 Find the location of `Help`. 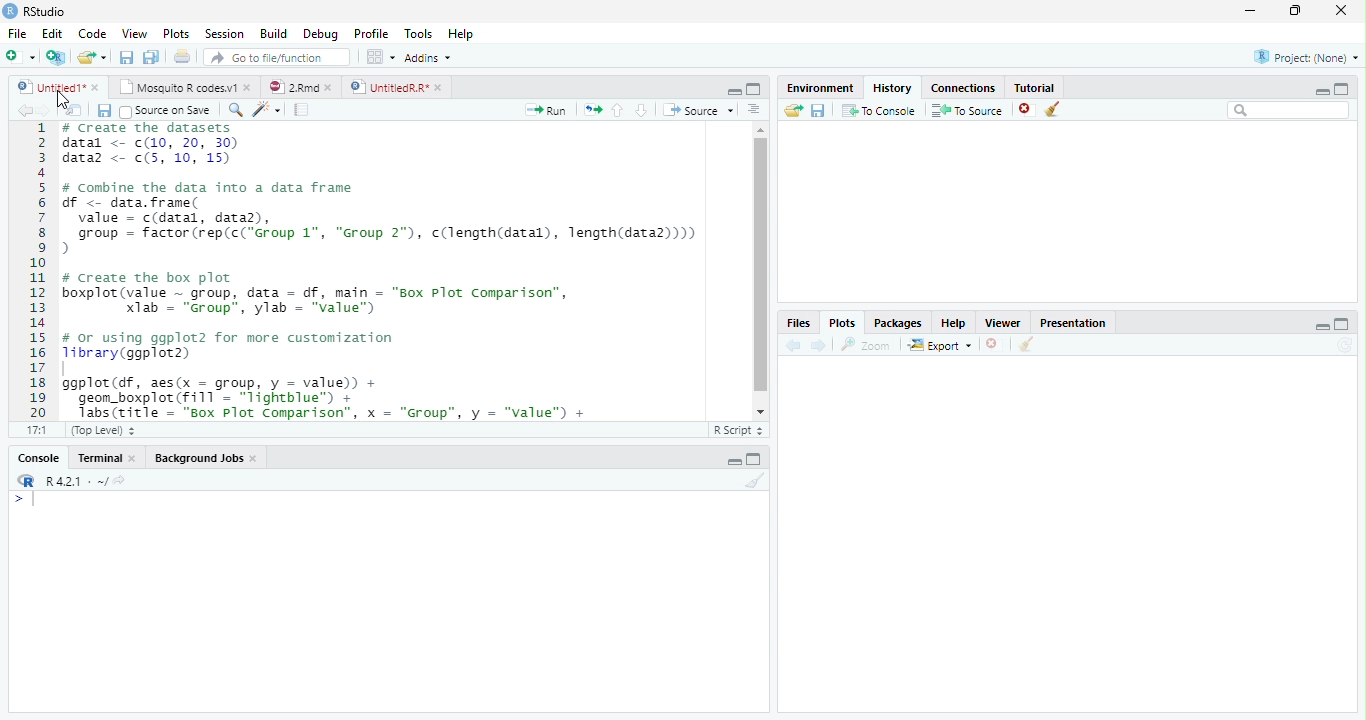

Help is located at coordinates (461, 33).